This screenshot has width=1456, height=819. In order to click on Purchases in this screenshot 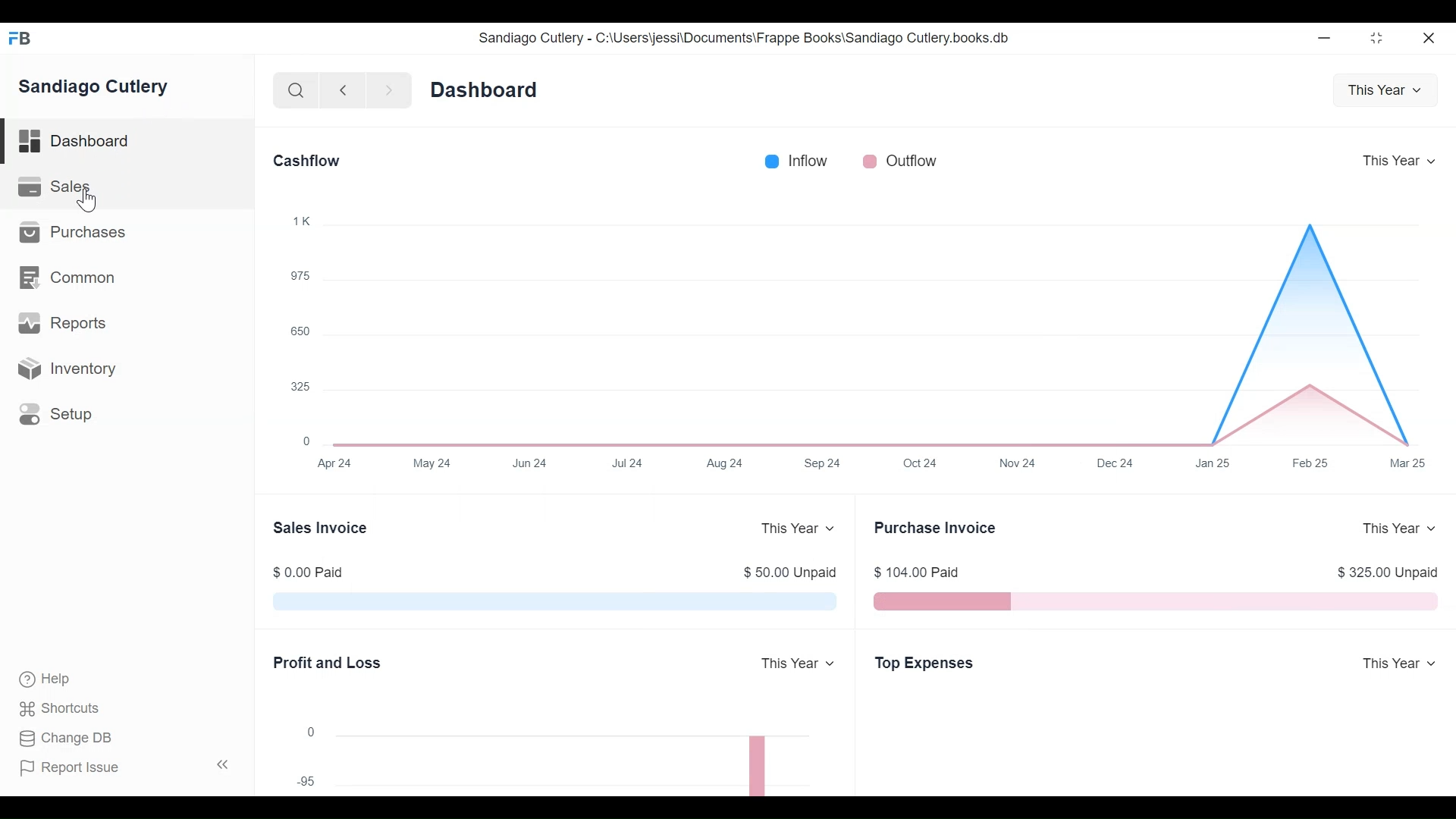, I will do `click(75, 231)`.